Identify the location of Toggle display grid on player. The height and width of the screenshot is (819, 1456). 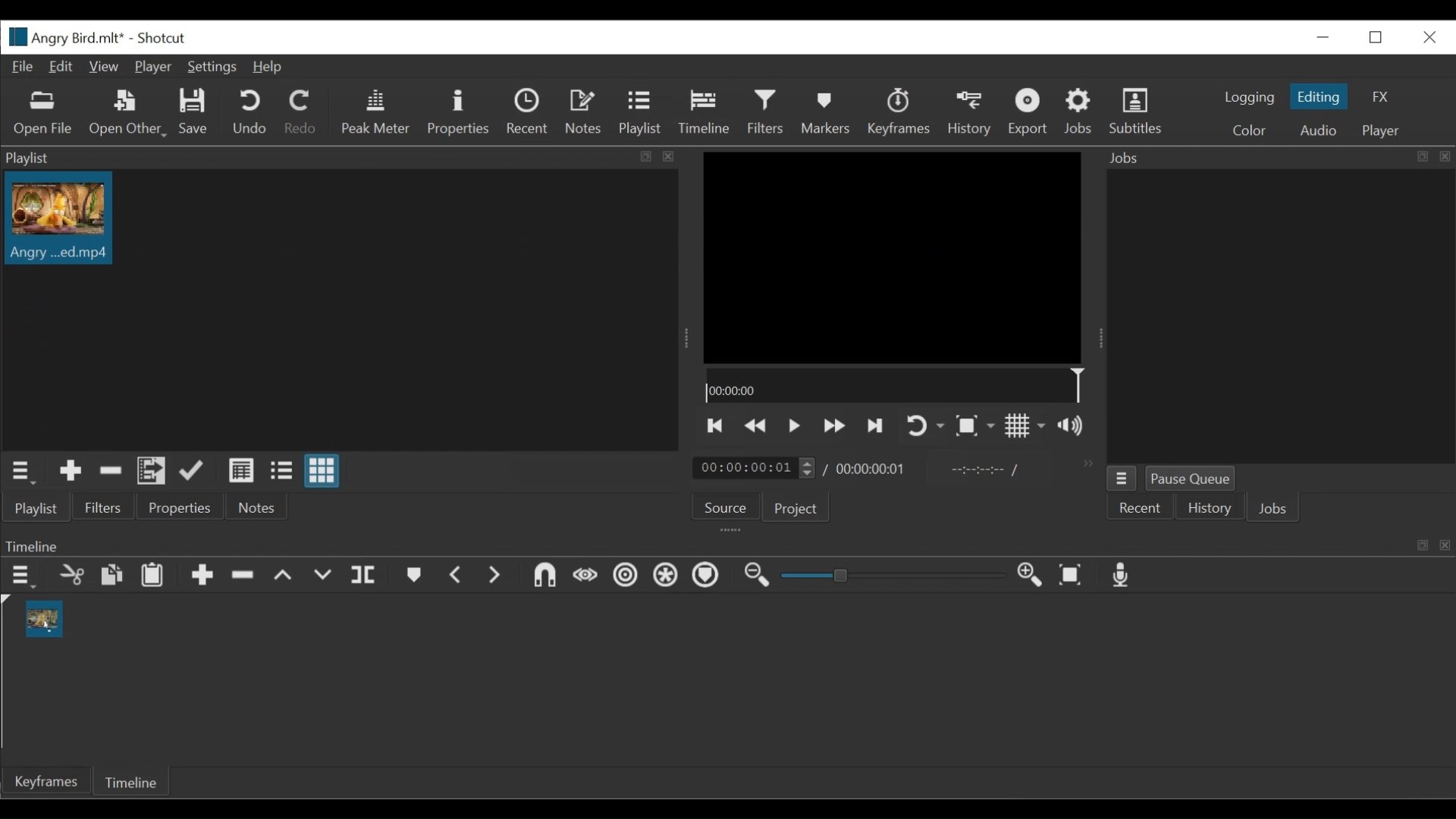
(1026, 426).